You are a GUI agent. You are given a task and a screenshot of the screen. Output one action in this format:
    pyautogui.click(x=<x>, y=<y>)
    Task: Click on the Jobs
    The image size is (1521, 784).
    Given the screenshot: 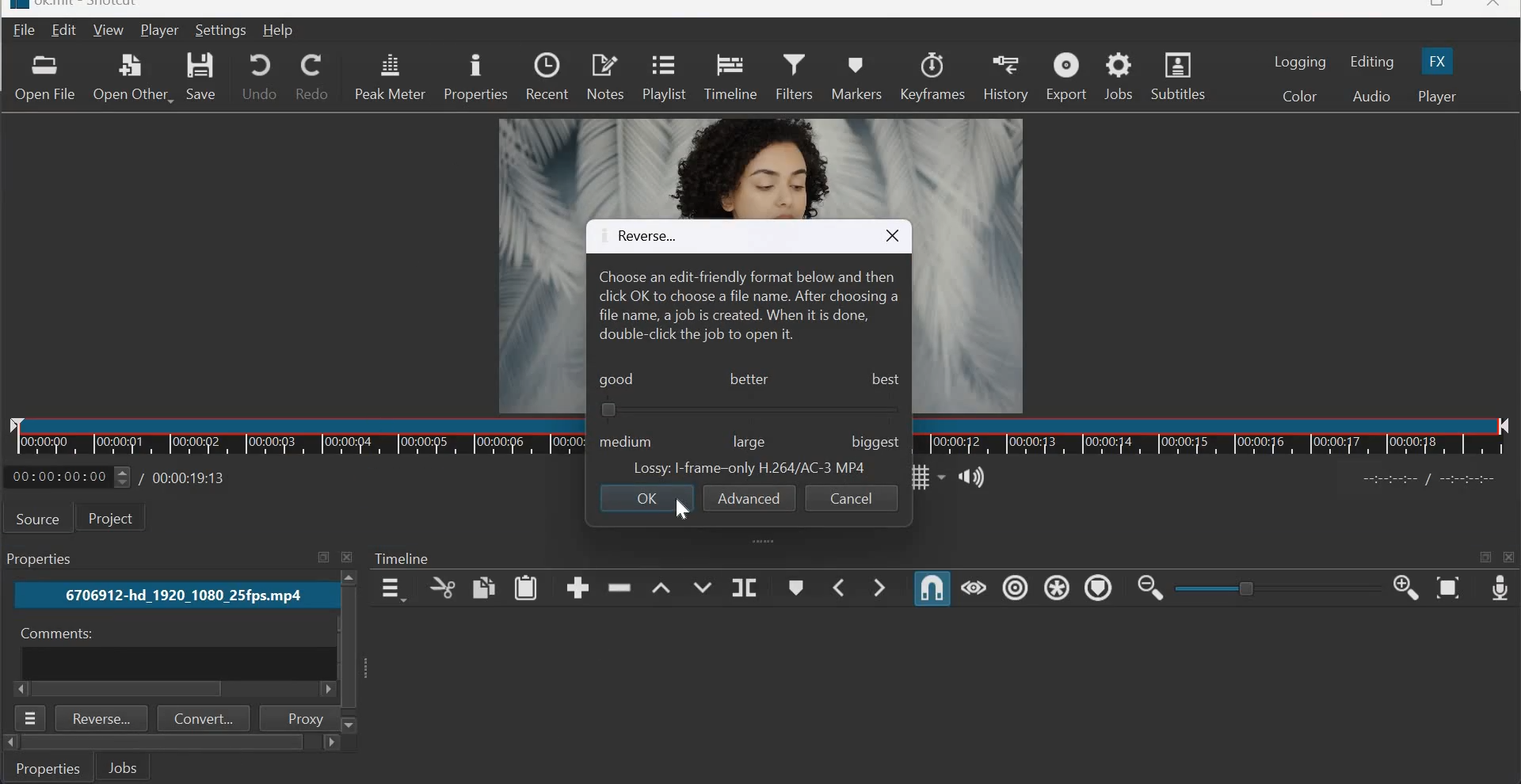 What is the action you would take?
    pyautogui.click(x=43, y=559)
    